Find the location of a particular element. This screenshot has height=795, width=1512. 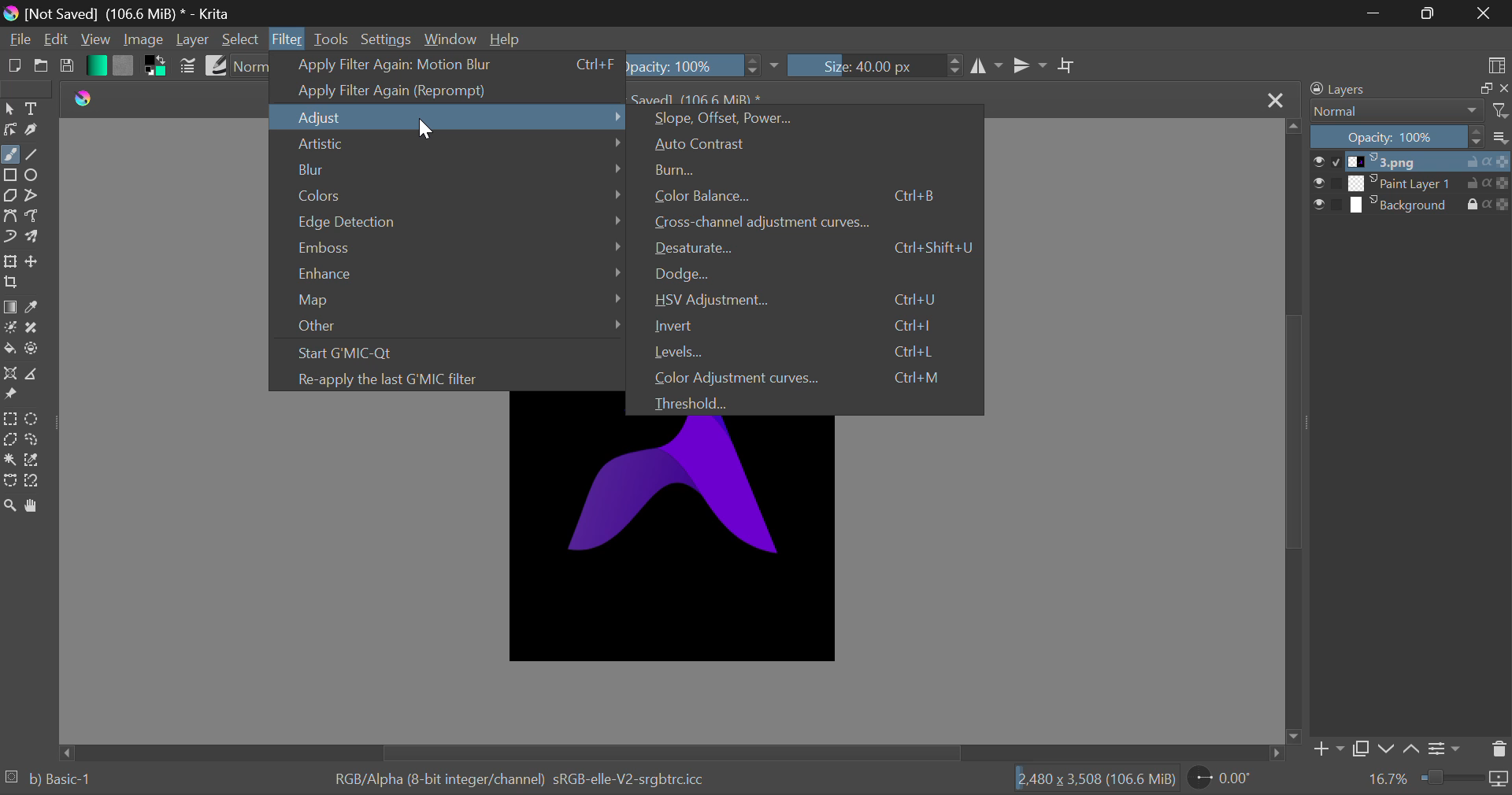

Select is located at coordinates (9, 110).